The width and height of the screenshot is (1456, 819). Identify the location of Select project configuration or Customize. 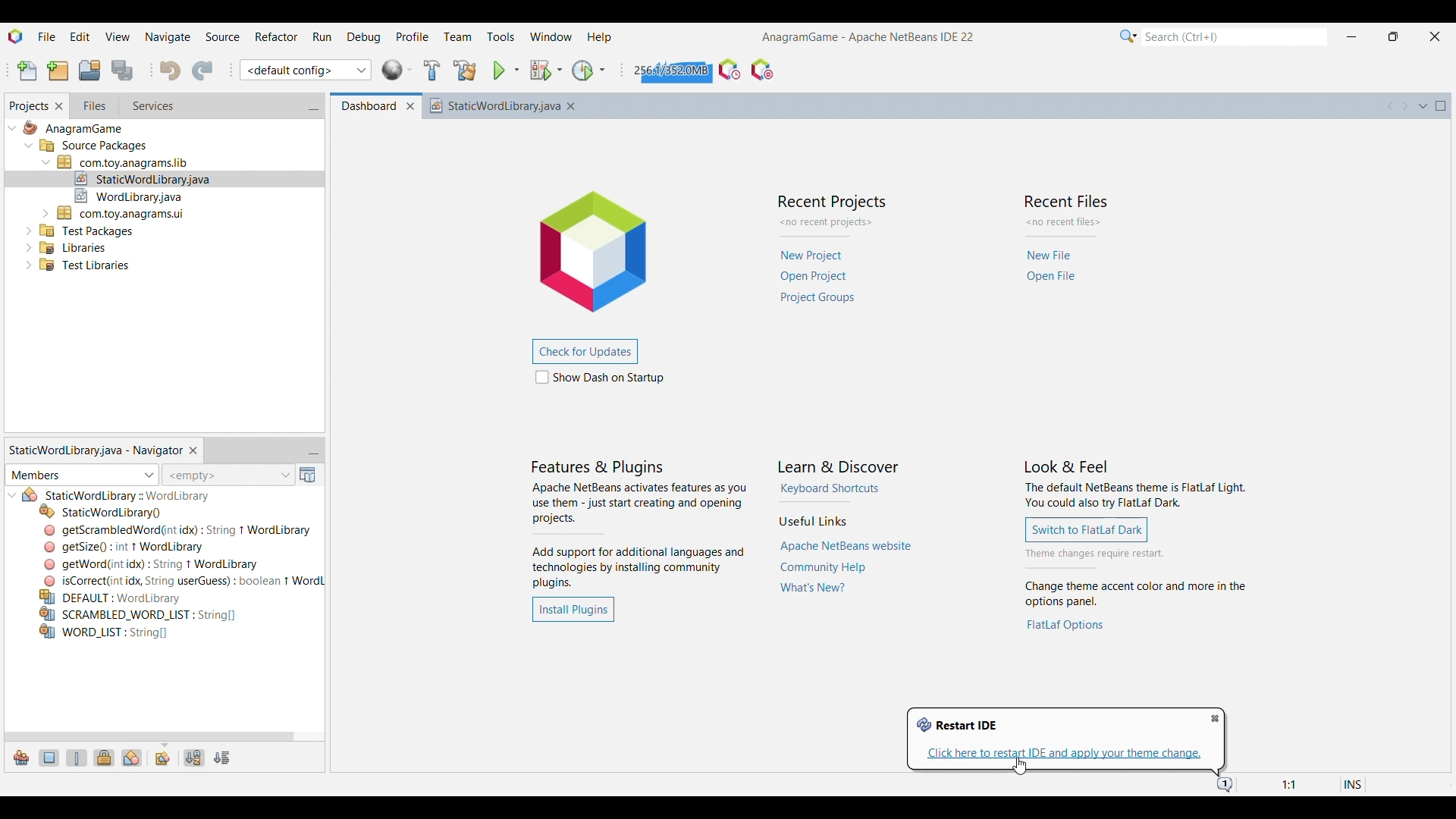
(306, 70).